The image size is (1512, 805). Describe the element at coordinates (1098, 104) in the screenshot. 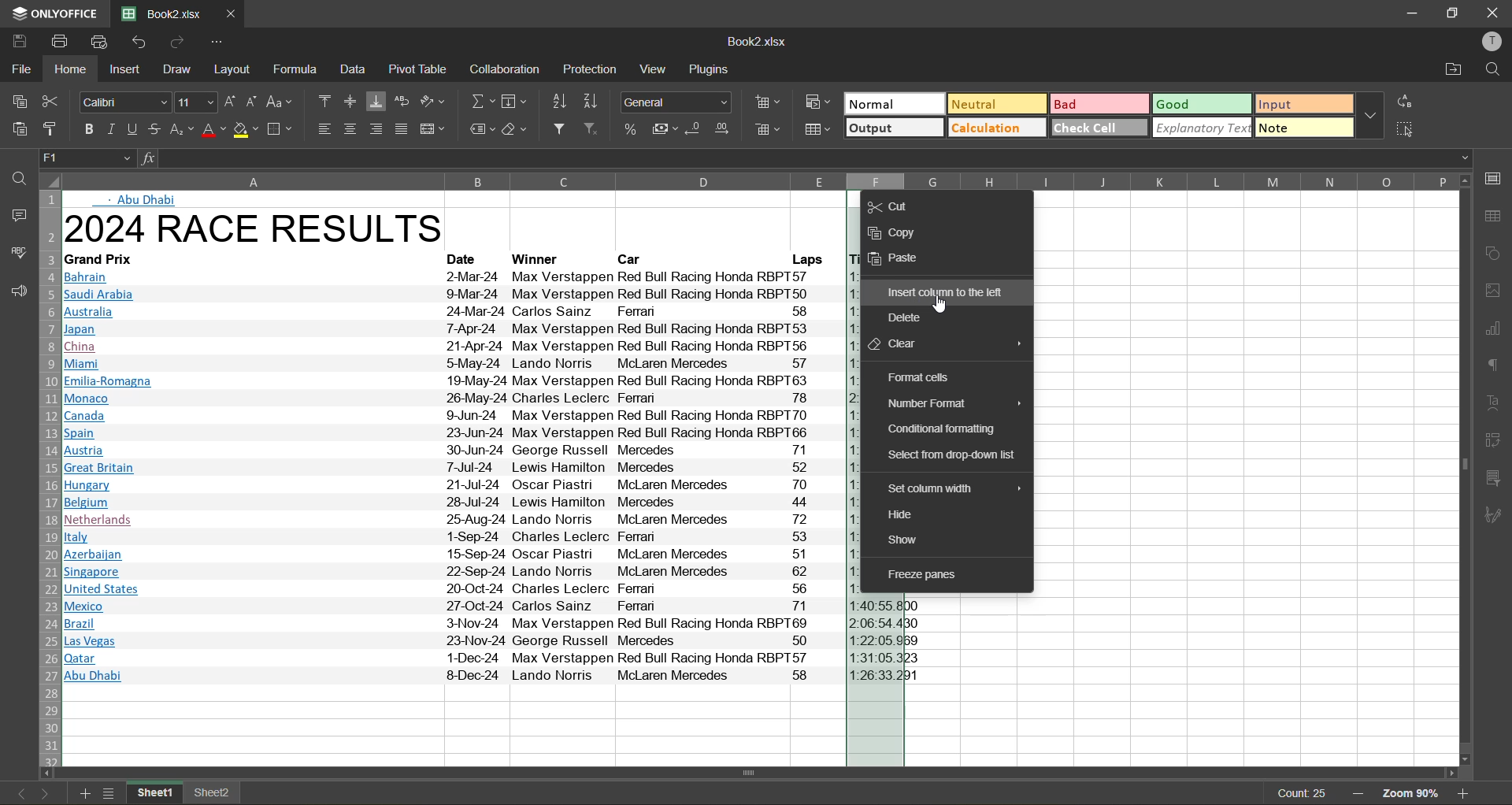

I see `bad` at that location.